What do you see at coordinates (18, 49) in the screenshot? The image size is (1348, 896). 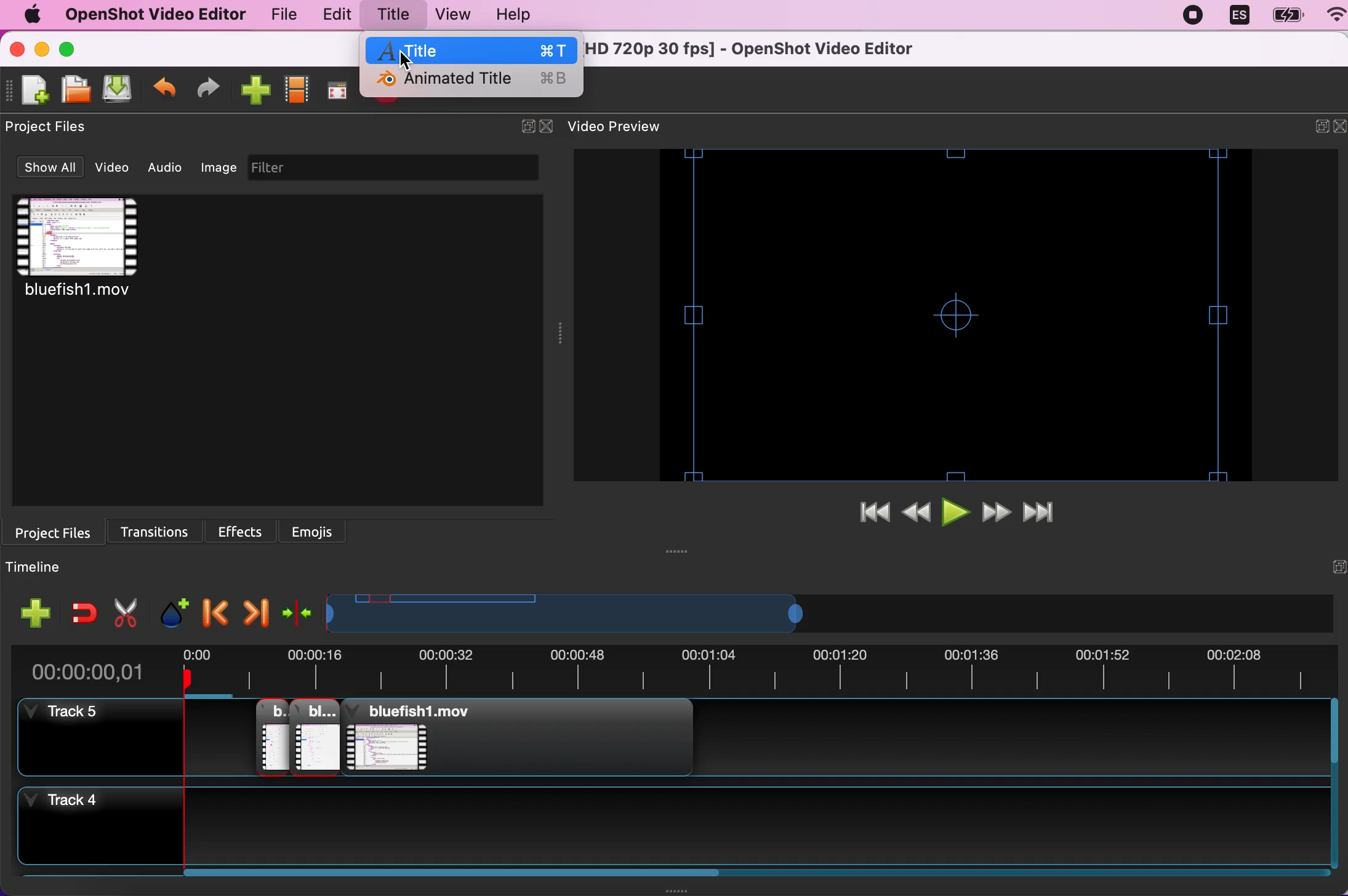 I see `close` at bounding box center [18, 49].